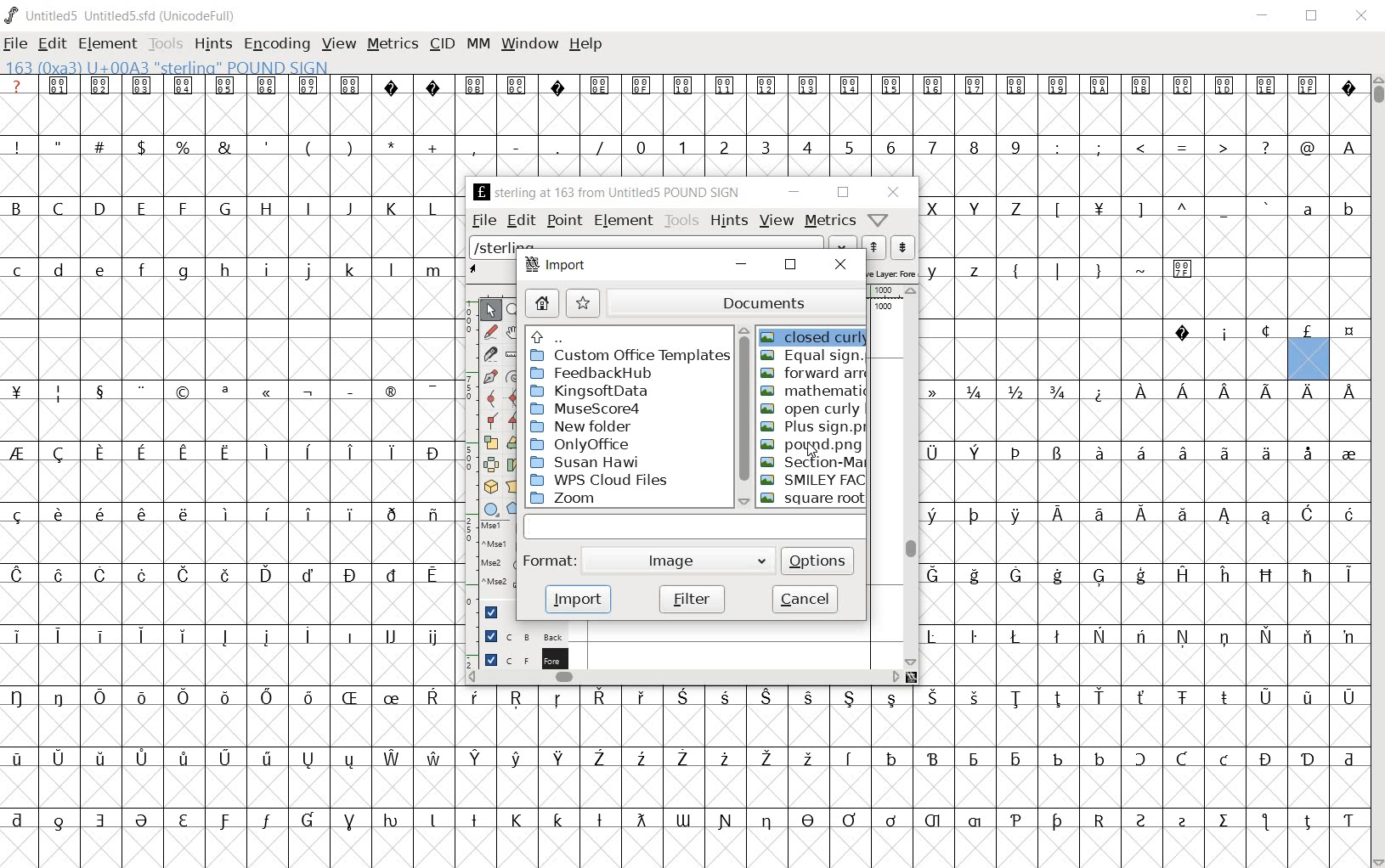  Describe the element at coordinates (21, 454) in the screenshot. I see `Symbol` at that location.